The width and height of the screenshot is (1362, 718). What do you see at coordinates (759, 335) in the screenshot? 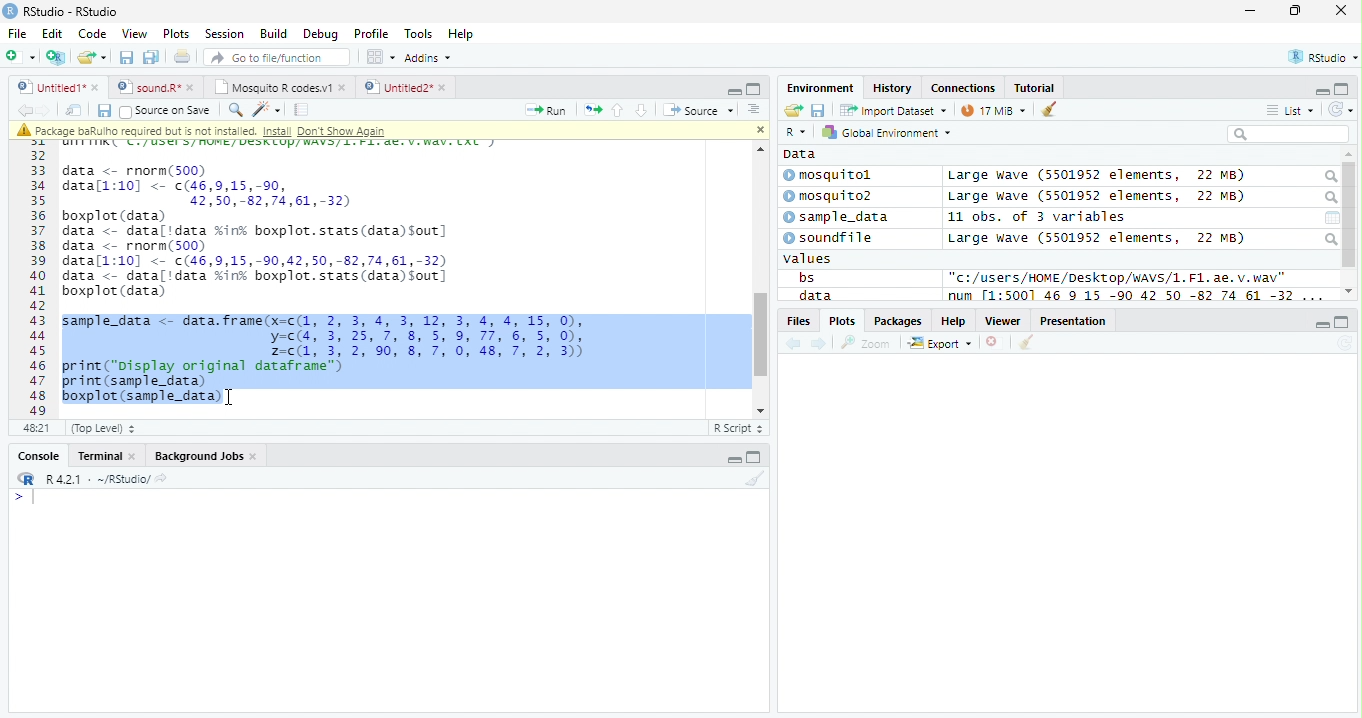
I see `scroll bar` at bounding box center [759, 335].